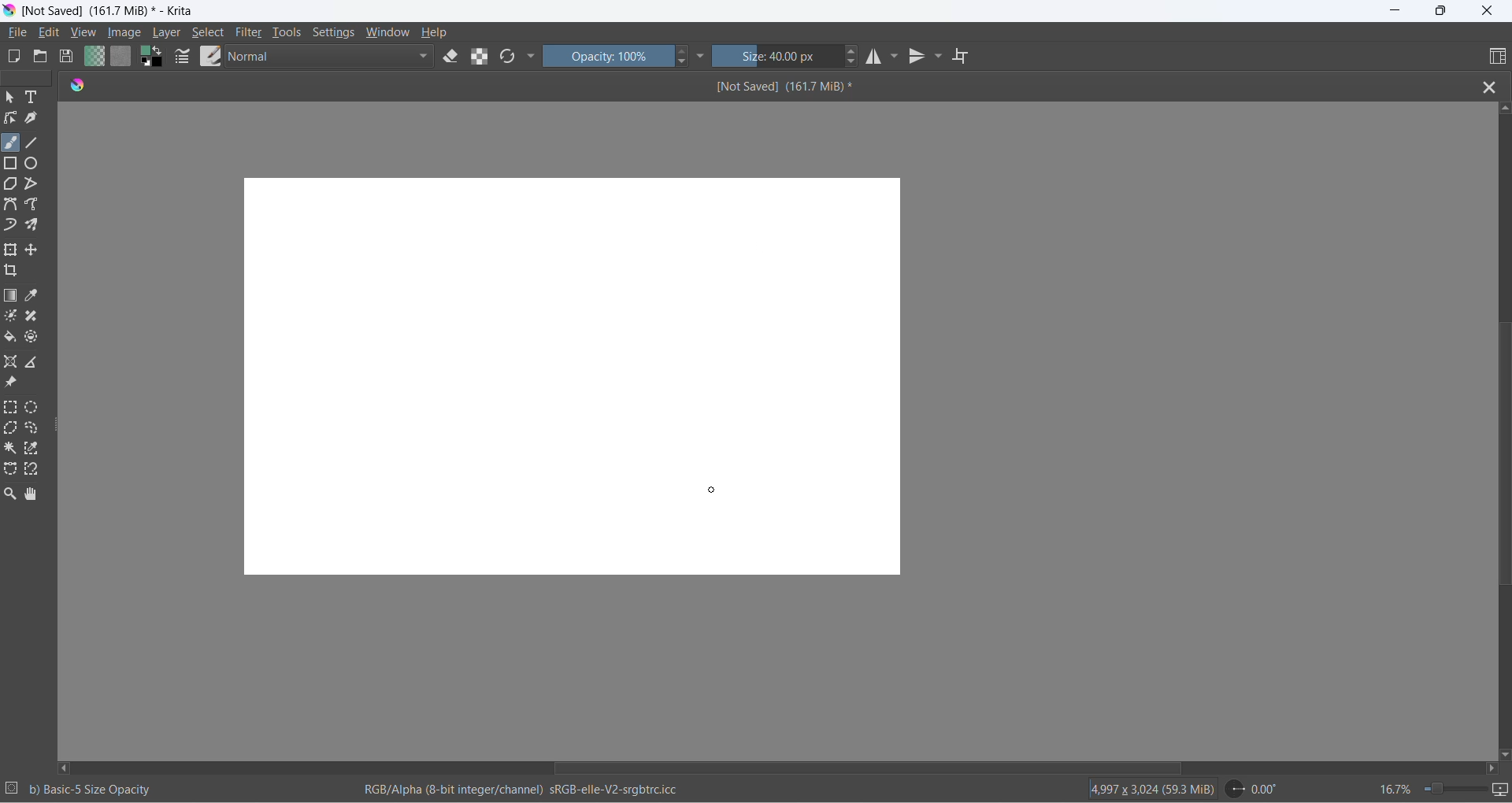 The height and width of the screenshot is (803, 1512). Describe the element at coordinates (67, 58) in the screenshot. I see `save` at that location.